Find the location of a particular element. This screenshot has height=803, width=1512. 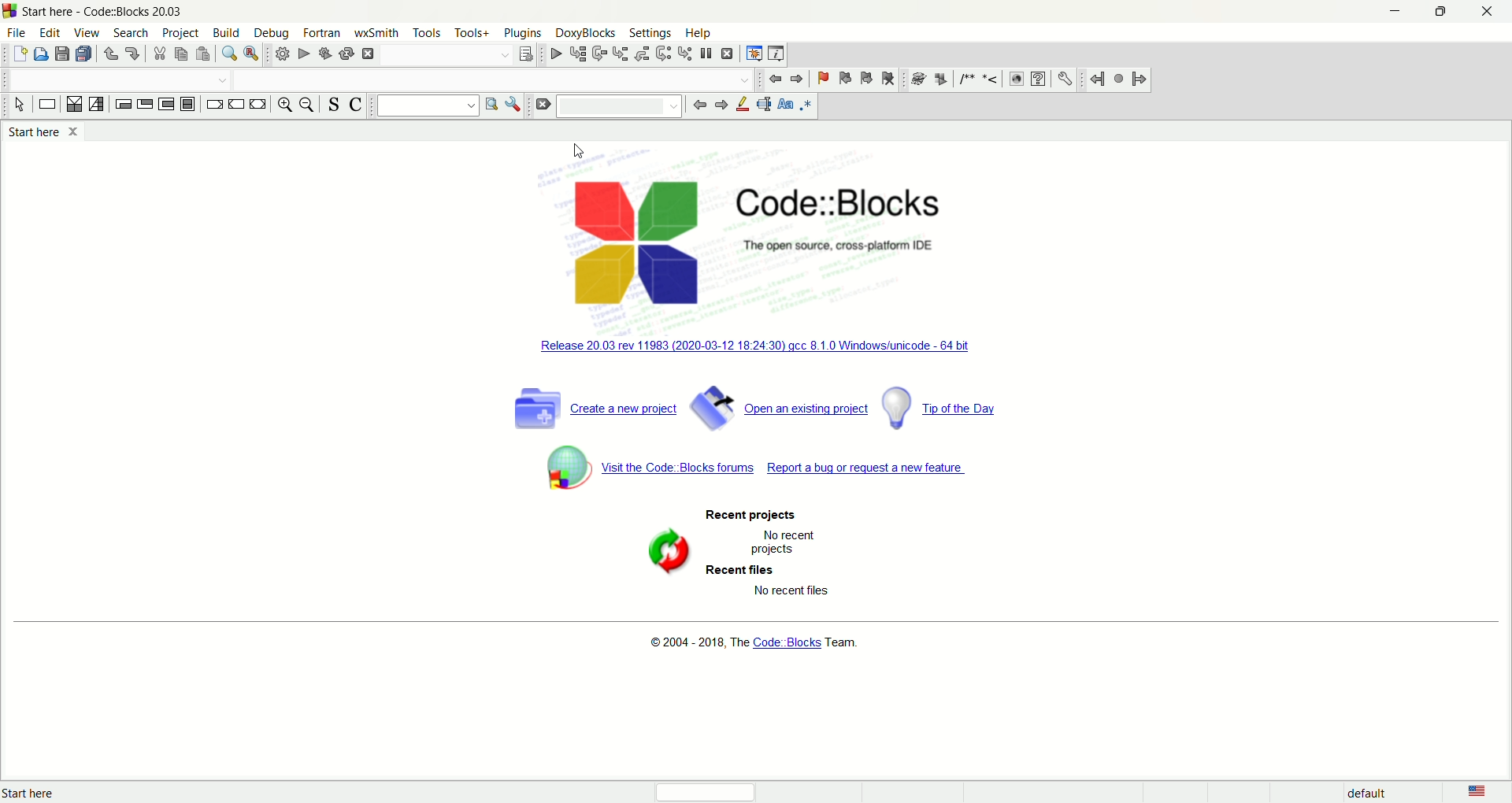

return instruction is located at coordinates (259, 104).